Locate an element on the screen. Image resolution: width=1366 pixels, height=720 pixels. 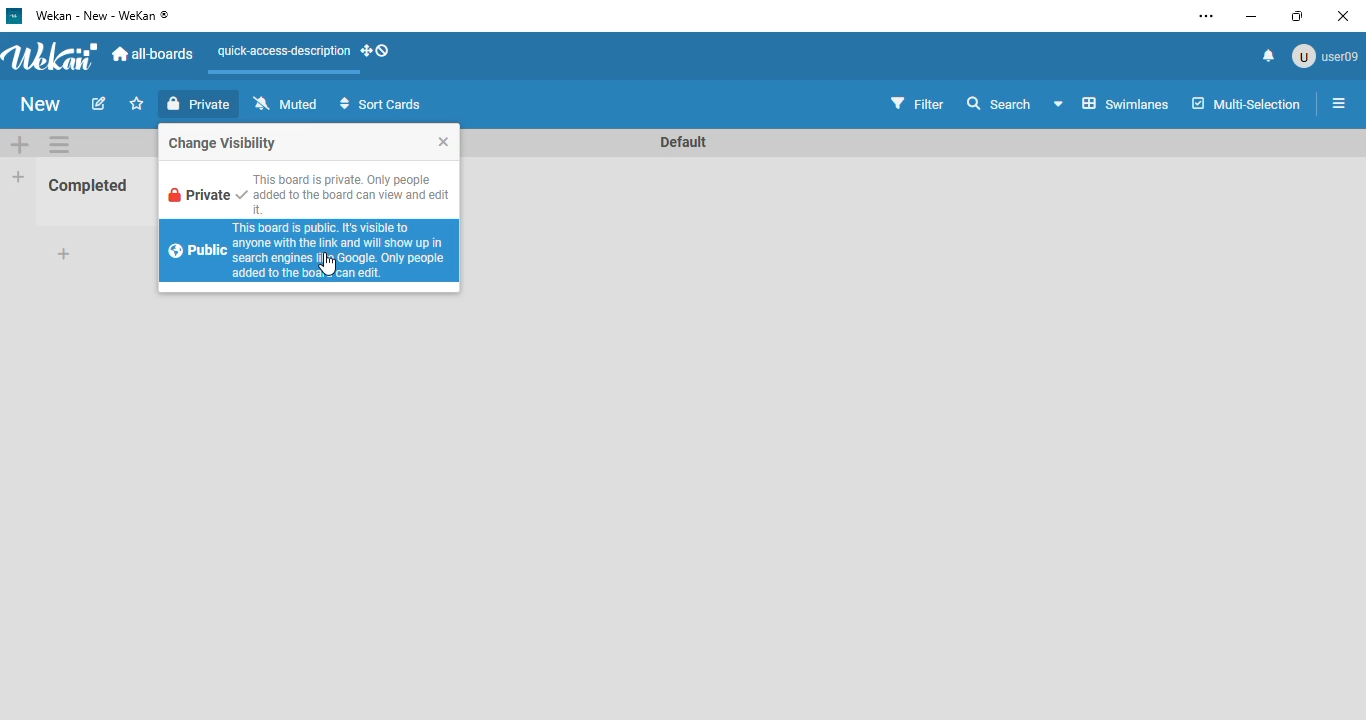
private is located at coordinates (199, 105).